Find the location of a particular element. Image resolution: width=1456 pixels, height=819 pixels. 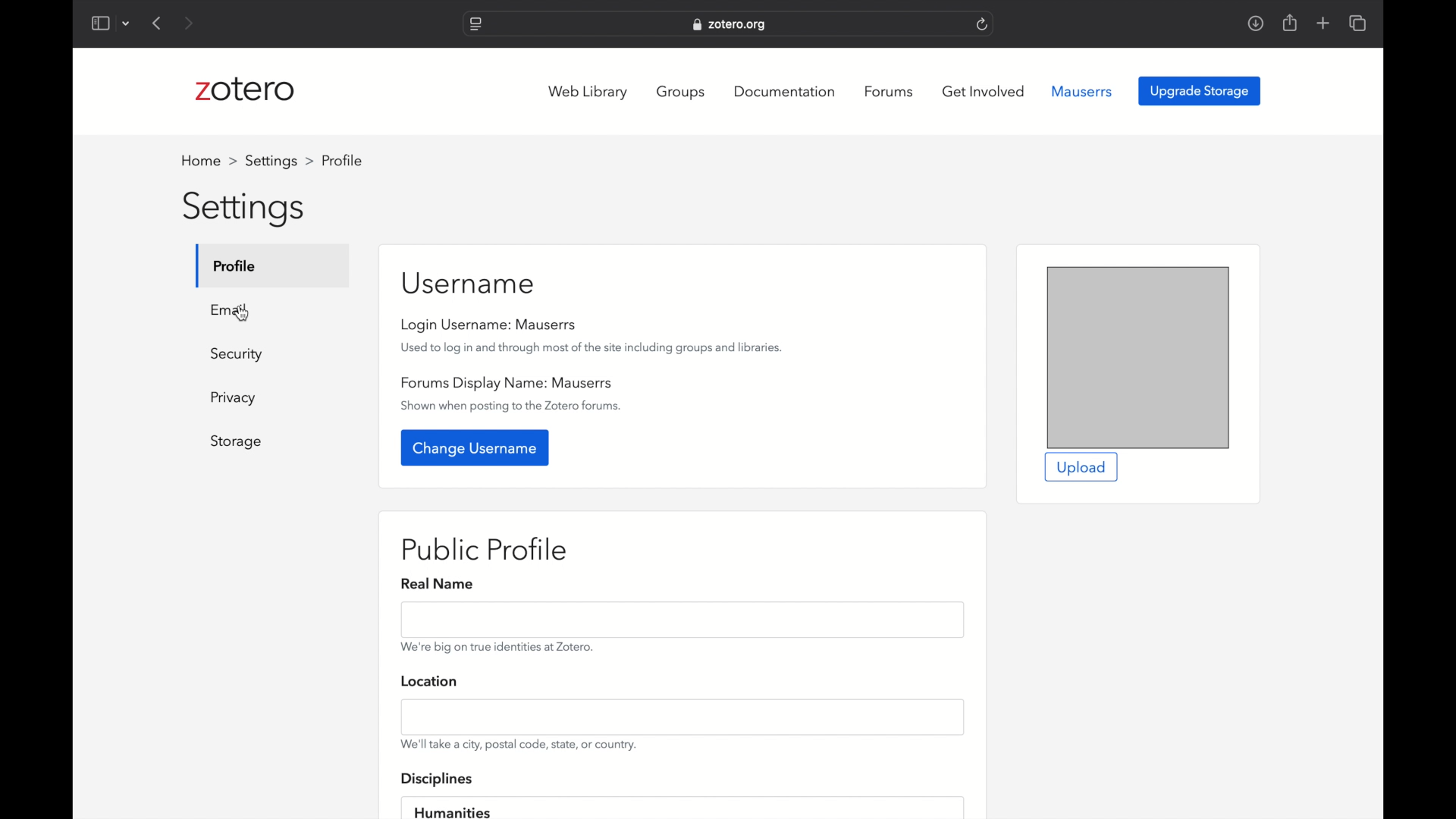

humanities is located at coordinates (451, 811).